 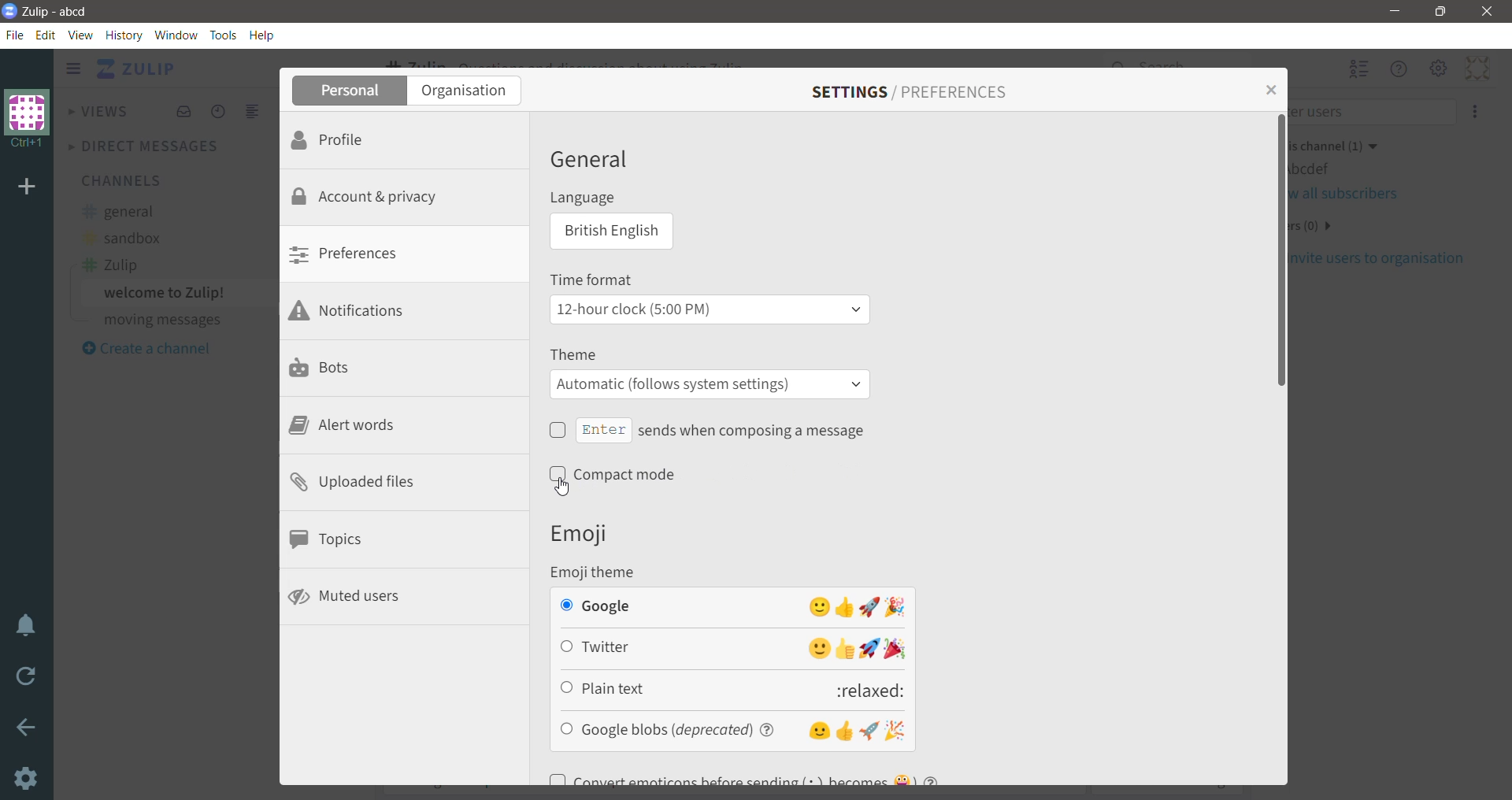 What do you see at coordinates (358, 255) in the screenshot?
I see `Preferences` at bounding box center [358, 255].